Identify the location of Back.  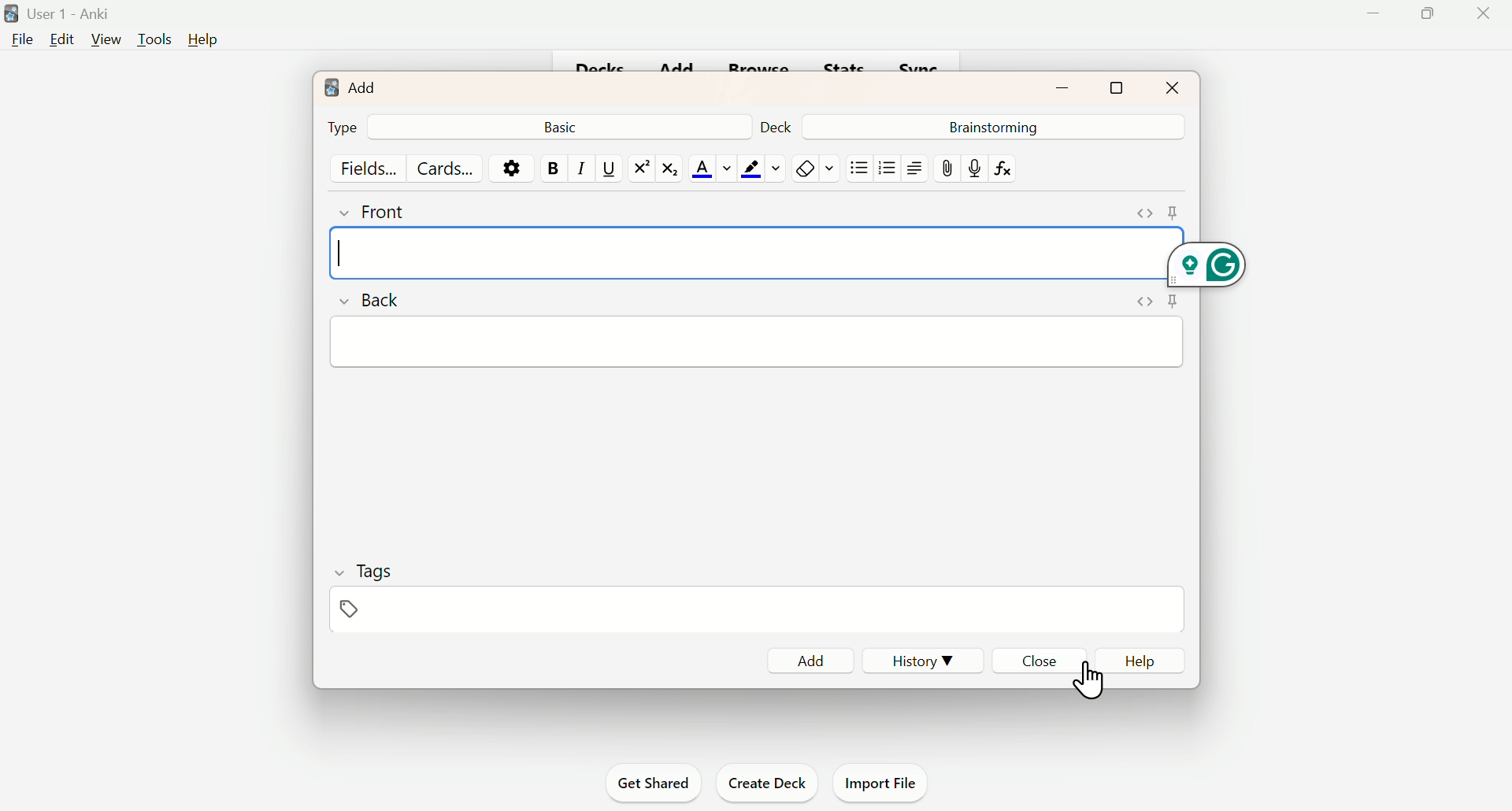
(374, 298).